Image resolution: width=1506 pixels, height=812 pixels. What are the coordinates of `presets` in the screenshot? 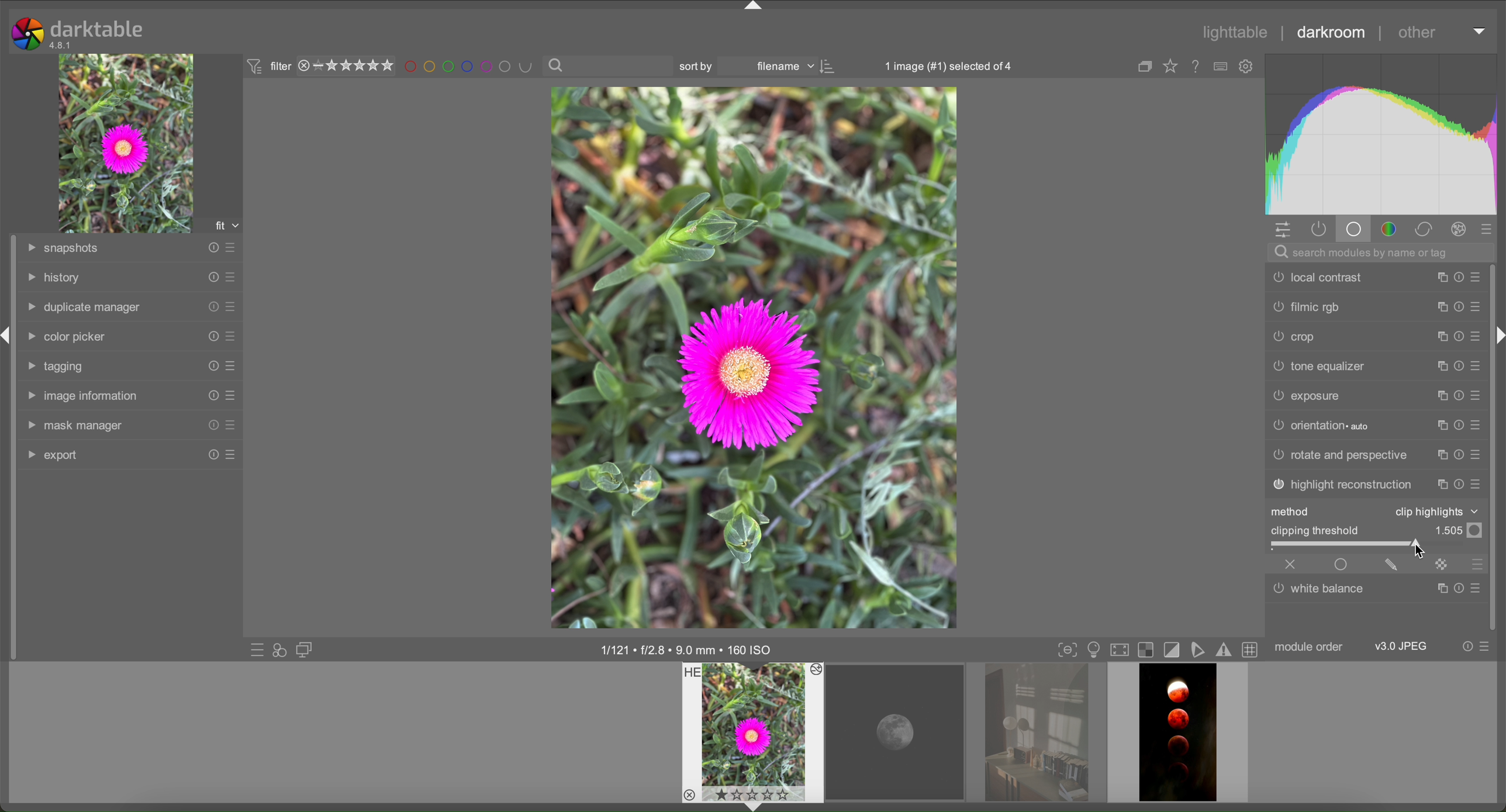 It's located at (230, 365).